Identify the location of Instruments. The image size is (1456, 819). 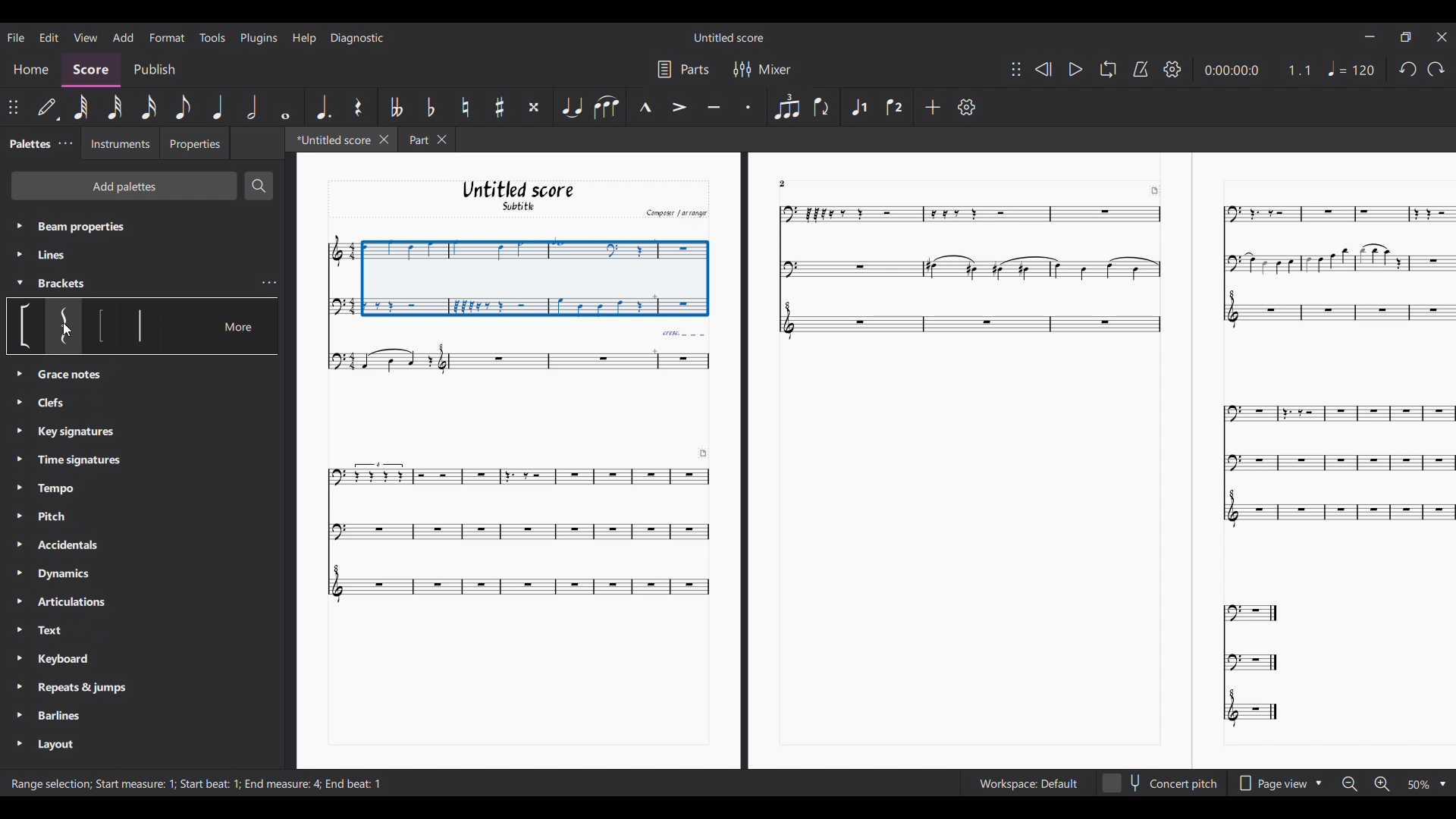
(119, 144).